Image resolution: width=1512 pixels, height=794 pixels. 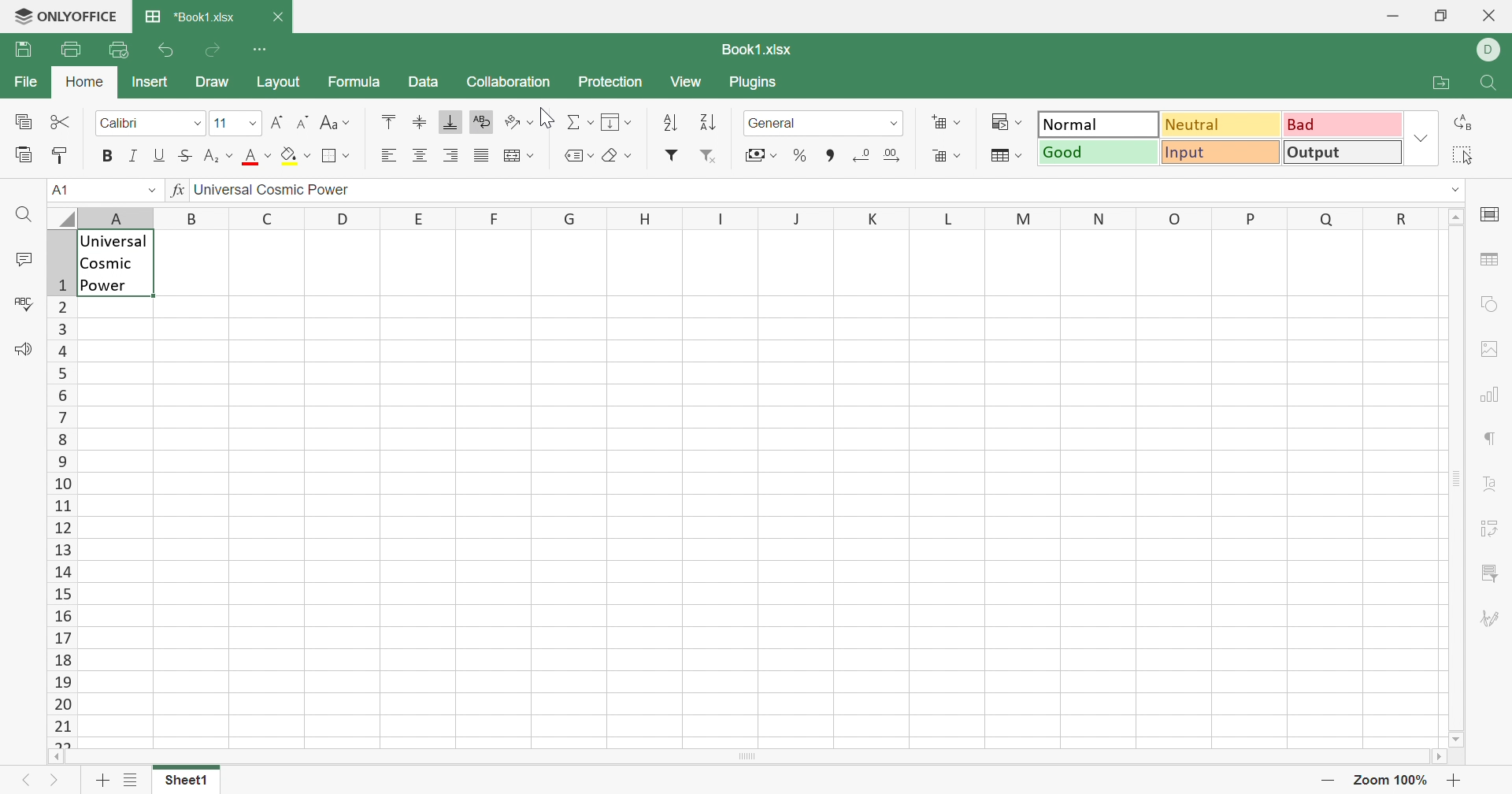 What do you see at coordinates (61, 779) in the screenshot?
I see `See next sheet` at bounding box center [61, 779].